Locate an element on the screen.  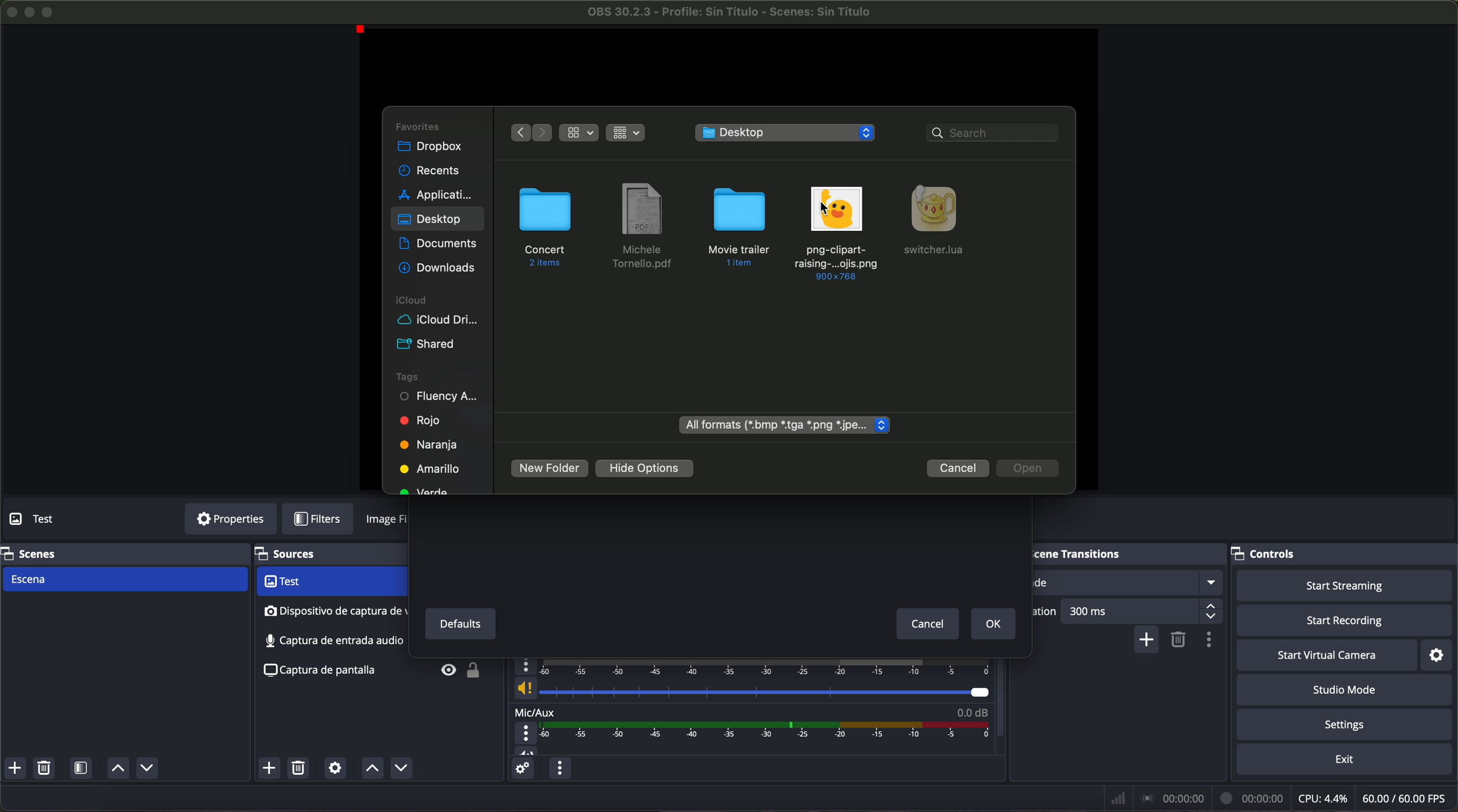
advanced audio properties is located at coordinates (522, 768).